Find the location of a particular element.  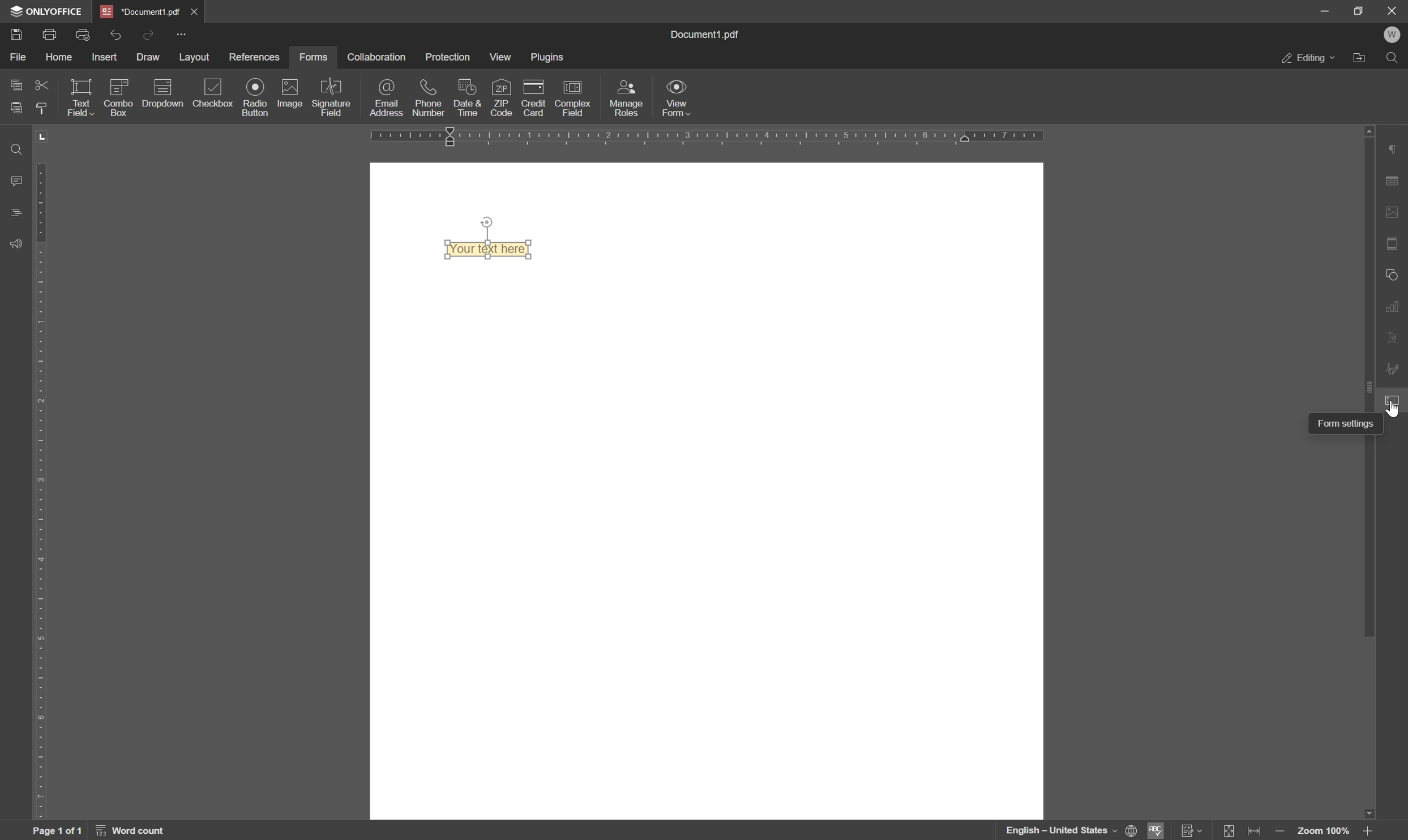

cut is located at coordinates (38, 86).